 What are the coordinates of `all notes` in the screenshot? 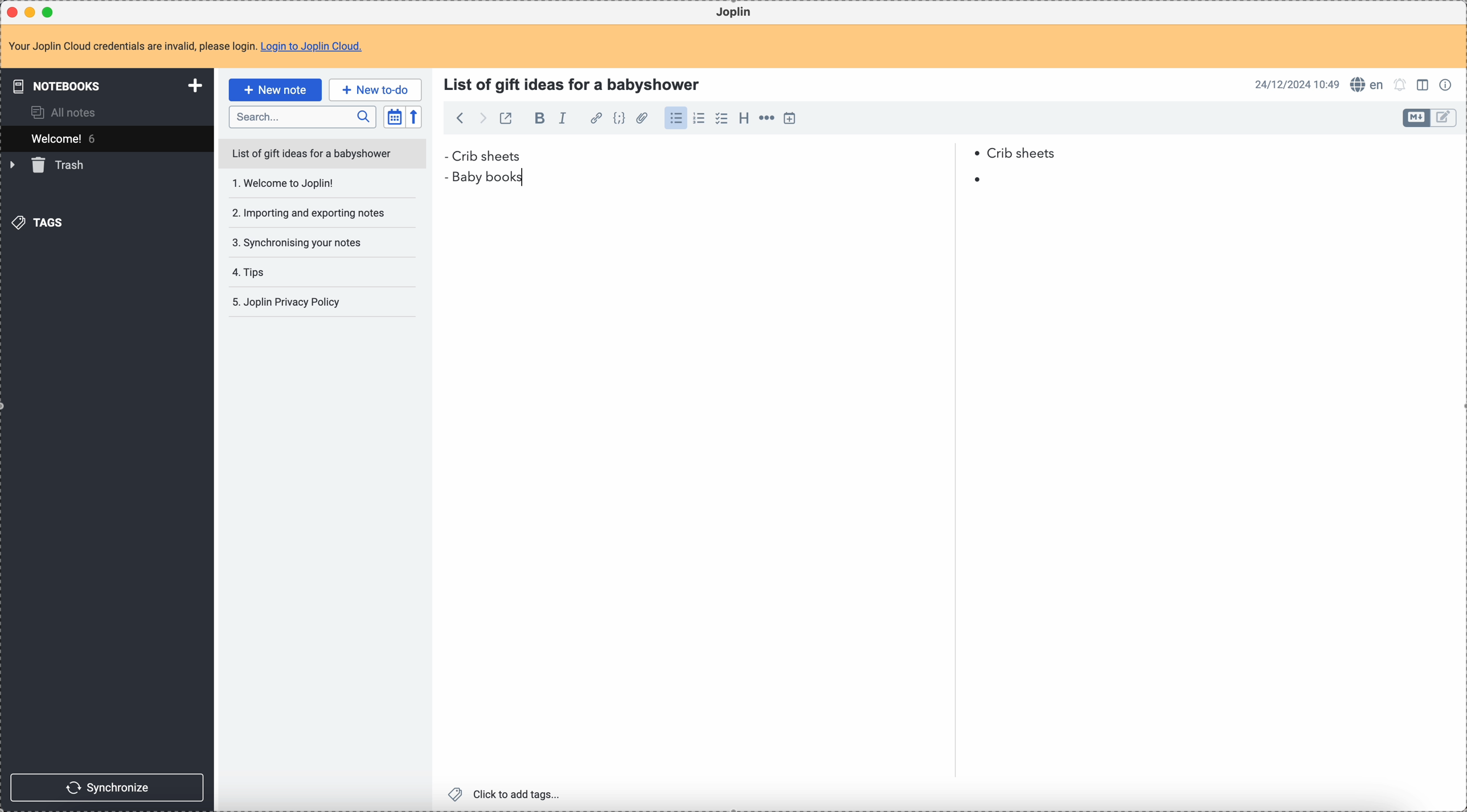 It's located at (65, 112).